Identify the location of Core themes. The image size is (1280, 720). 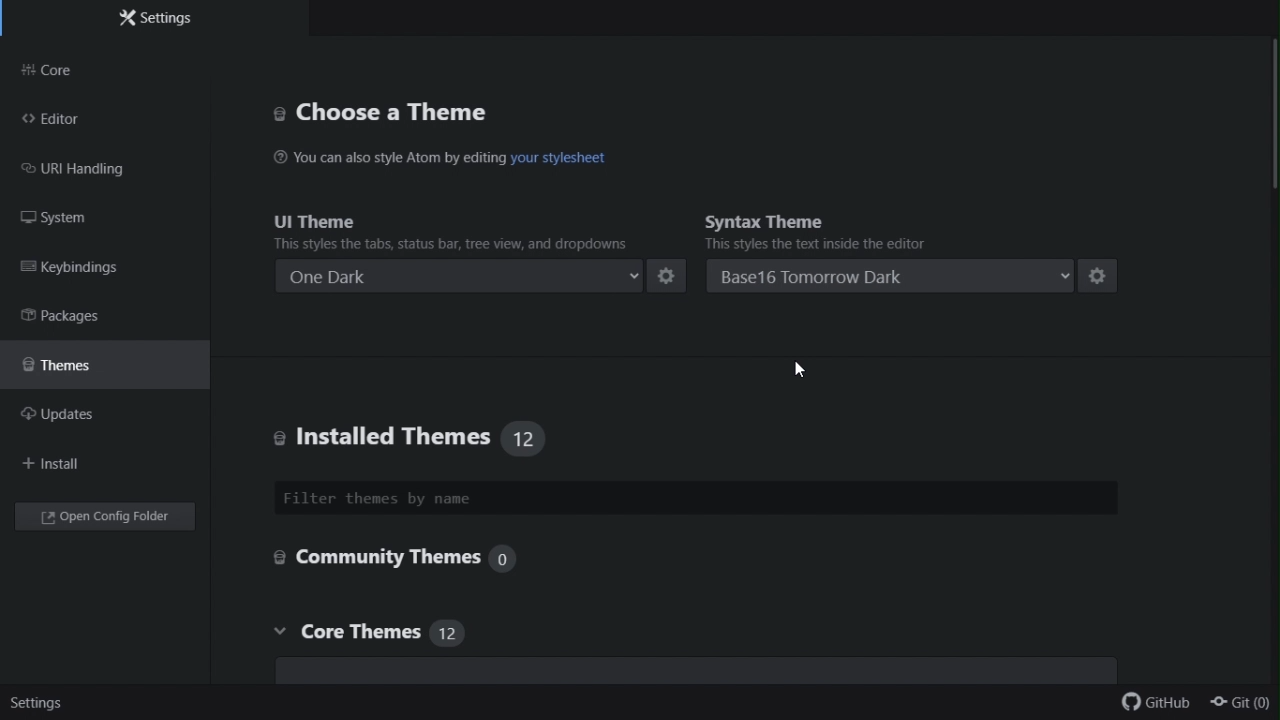
(687, 650).